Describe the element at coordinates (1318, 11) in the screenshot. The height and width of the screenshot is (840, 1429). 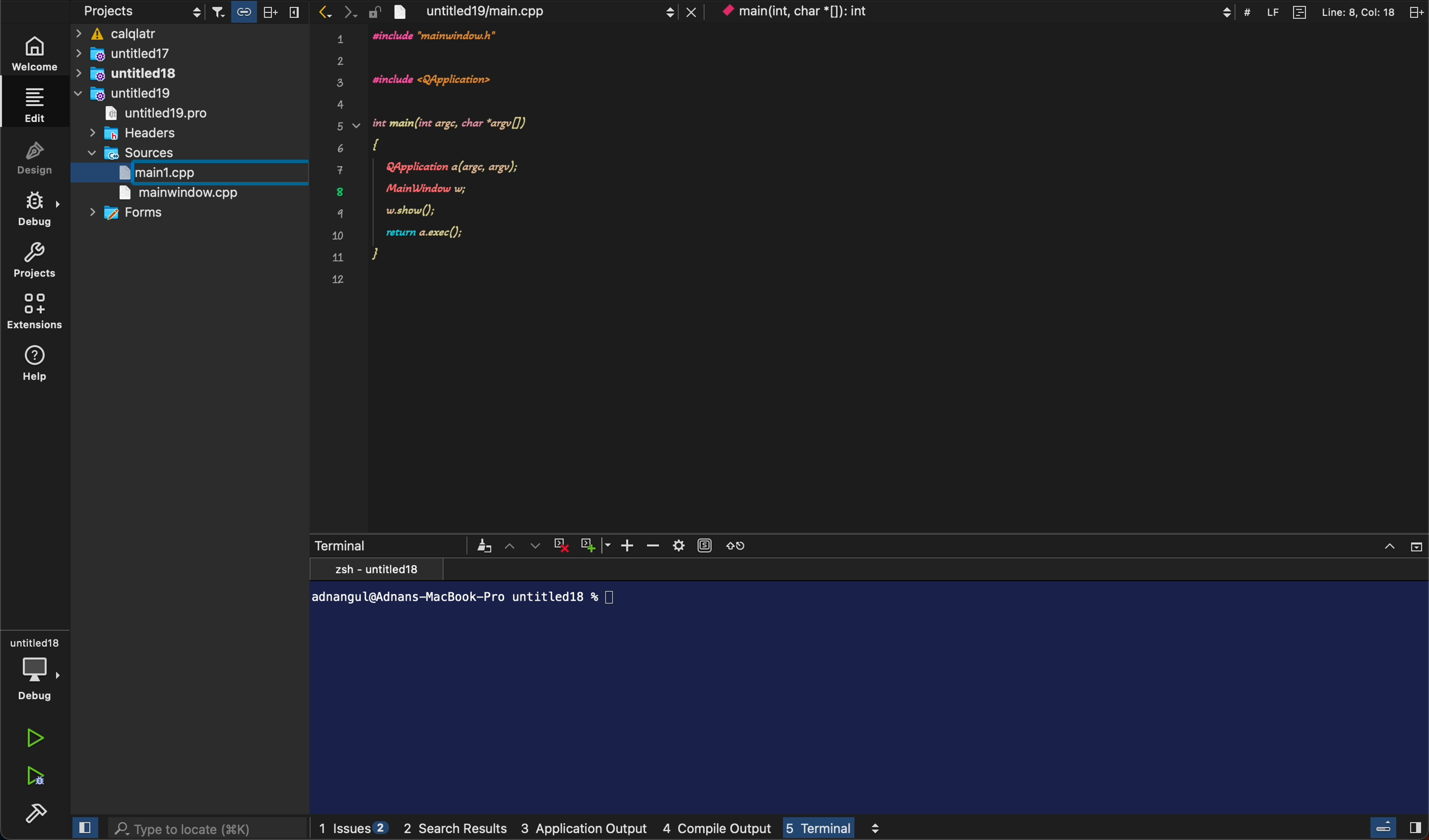
I see `file information` at that location.